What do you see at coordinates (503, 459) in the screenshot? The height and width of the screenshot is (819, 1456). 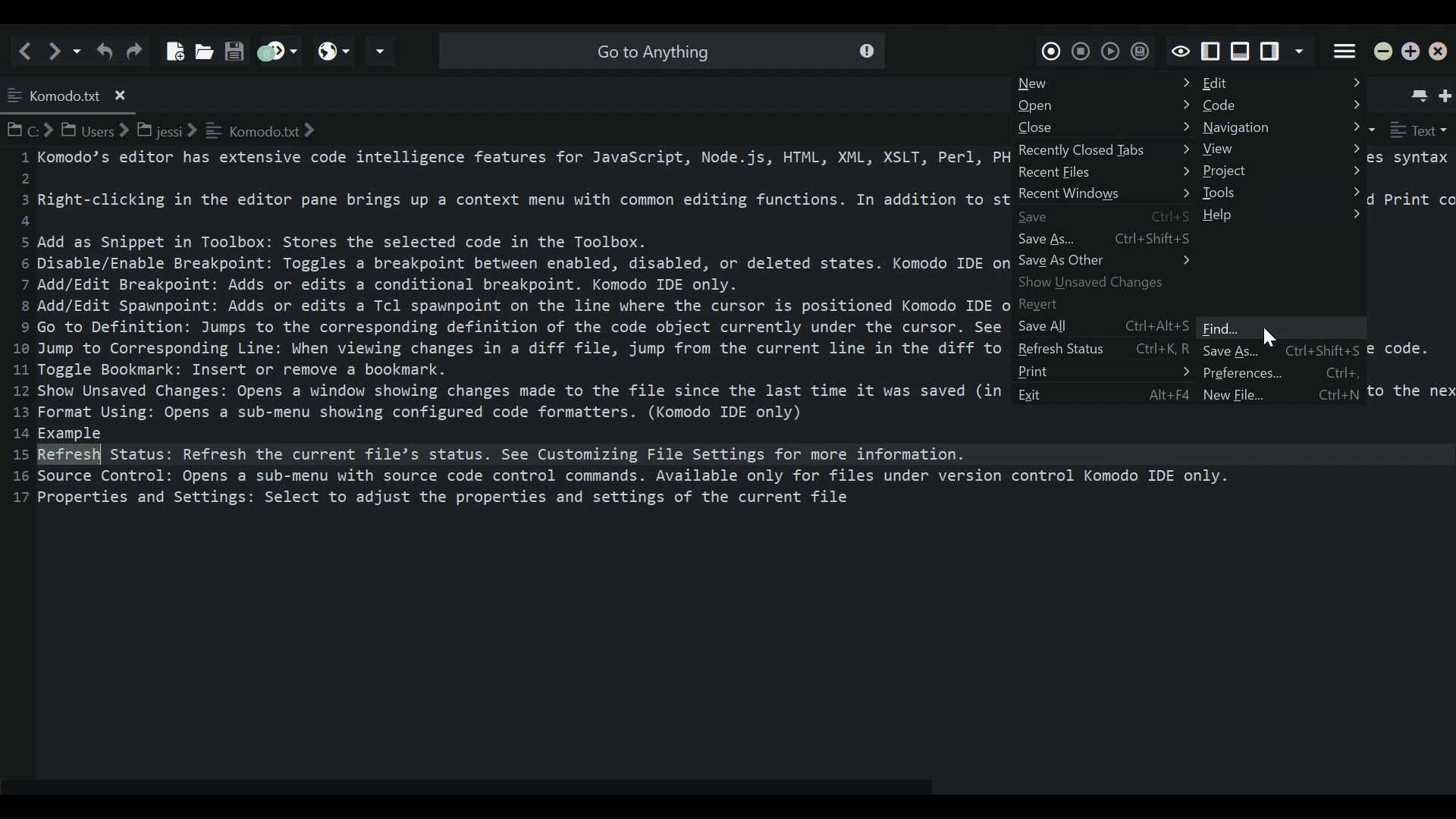 I see `File Entry Pane` at bounding box center [503, 459].